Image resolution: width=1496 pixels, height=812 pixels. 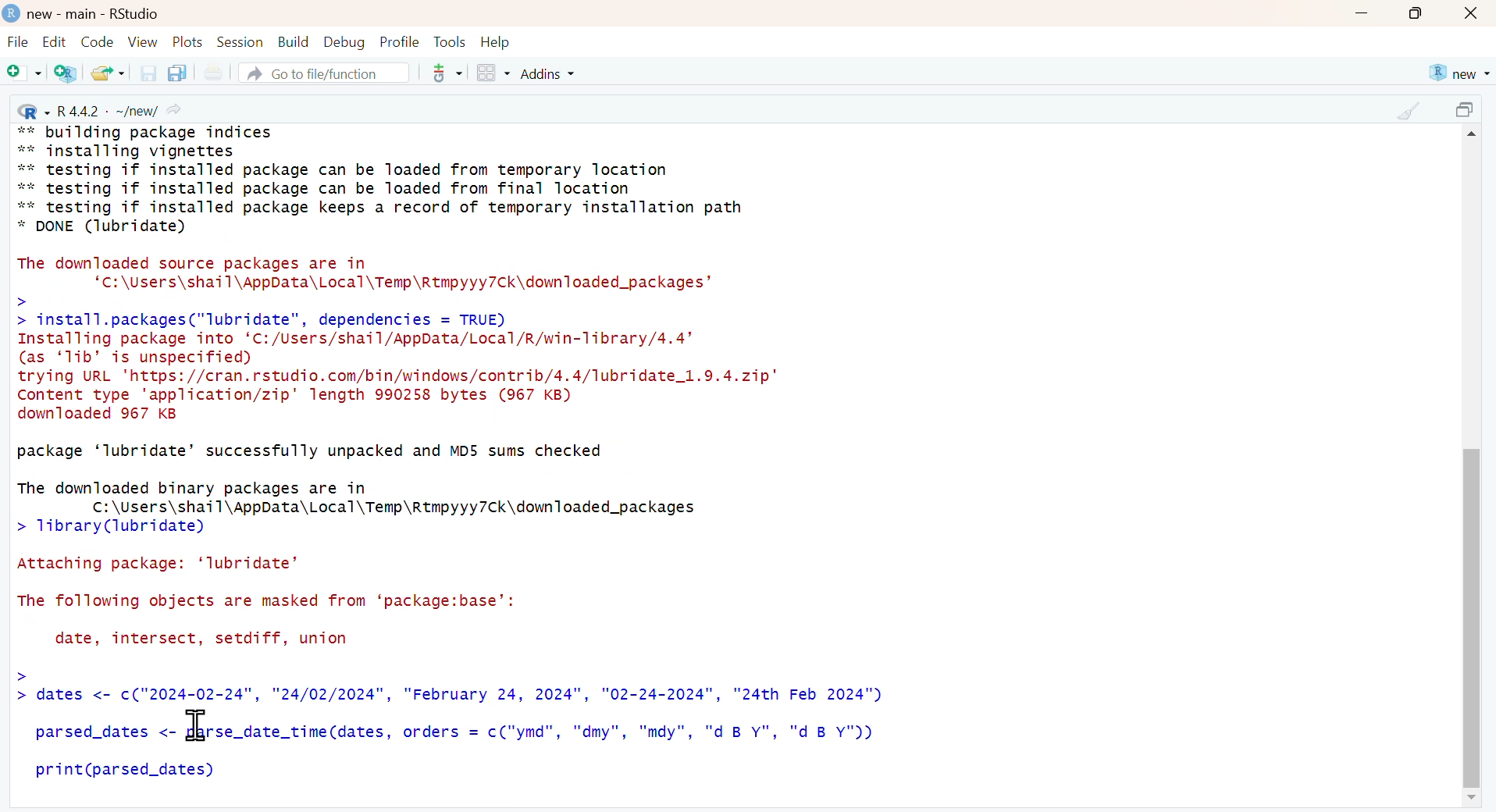 What do you see at coordinates (95, 14) in the screenshot?
I see `new - main - RStudio` at bounding box center [95, 14].